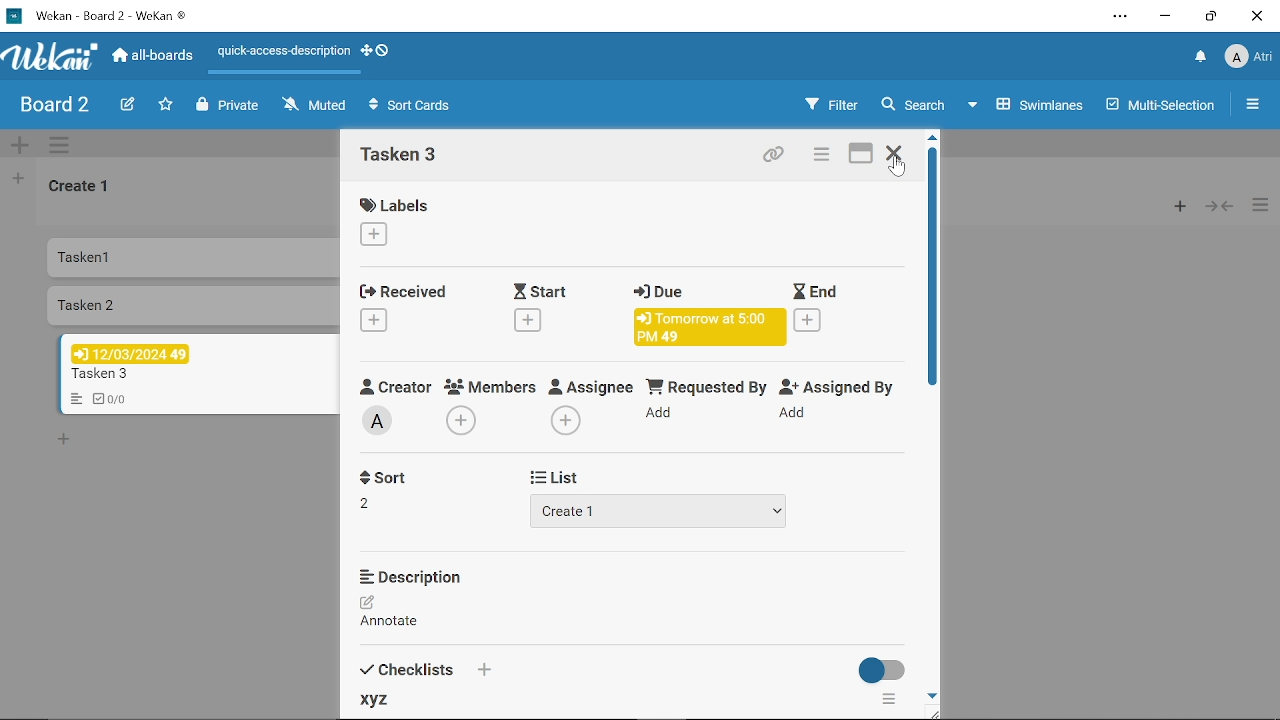 This screenshot has width=1280, height=720. Describe the element at coordinates (18, 146) in the screenshot. I see `Add` at that location.